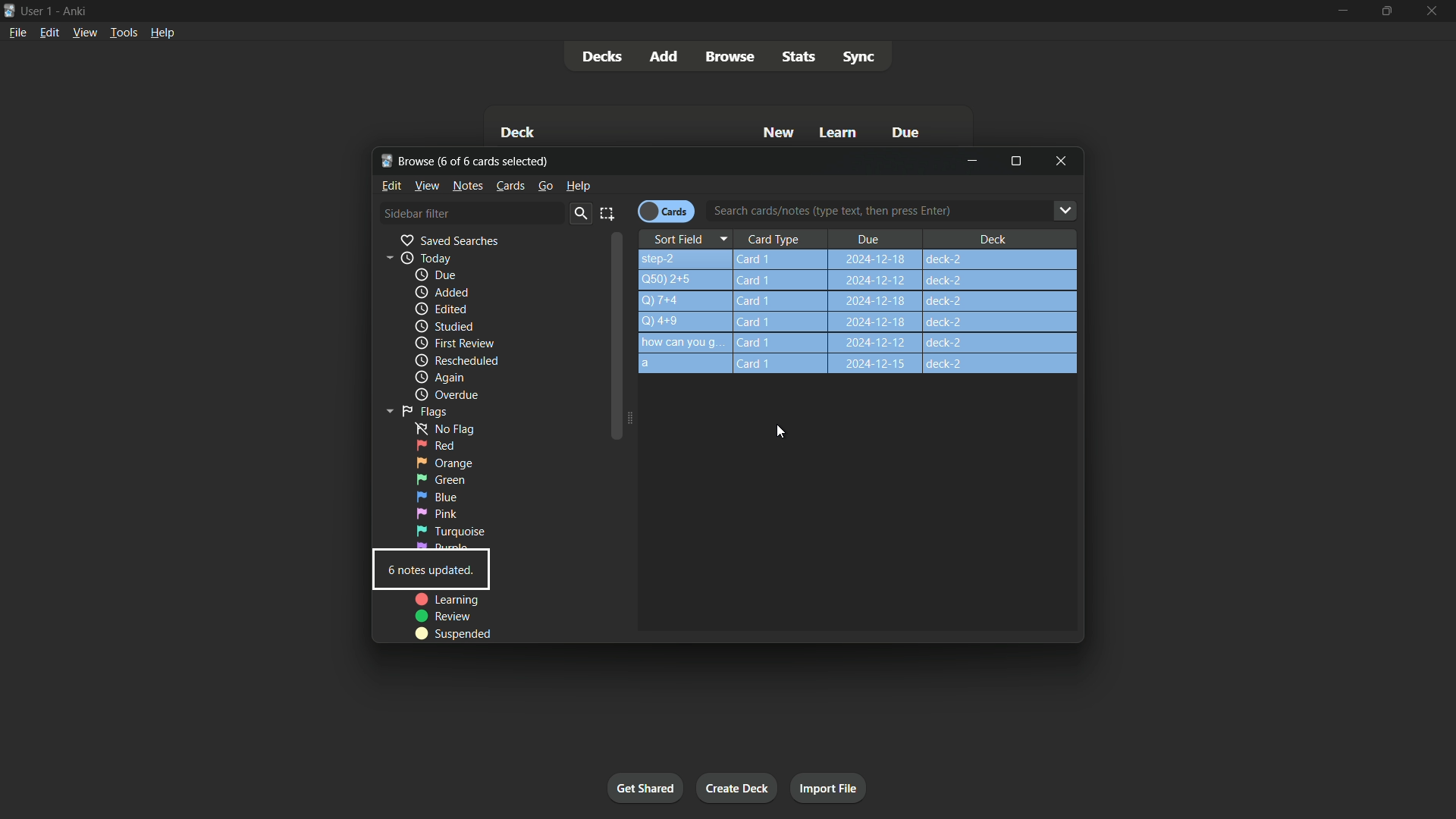  What do you see at coordinates (449, 531) in the screenshot?
I see `Turquoise` at bounding box center [449, 531].